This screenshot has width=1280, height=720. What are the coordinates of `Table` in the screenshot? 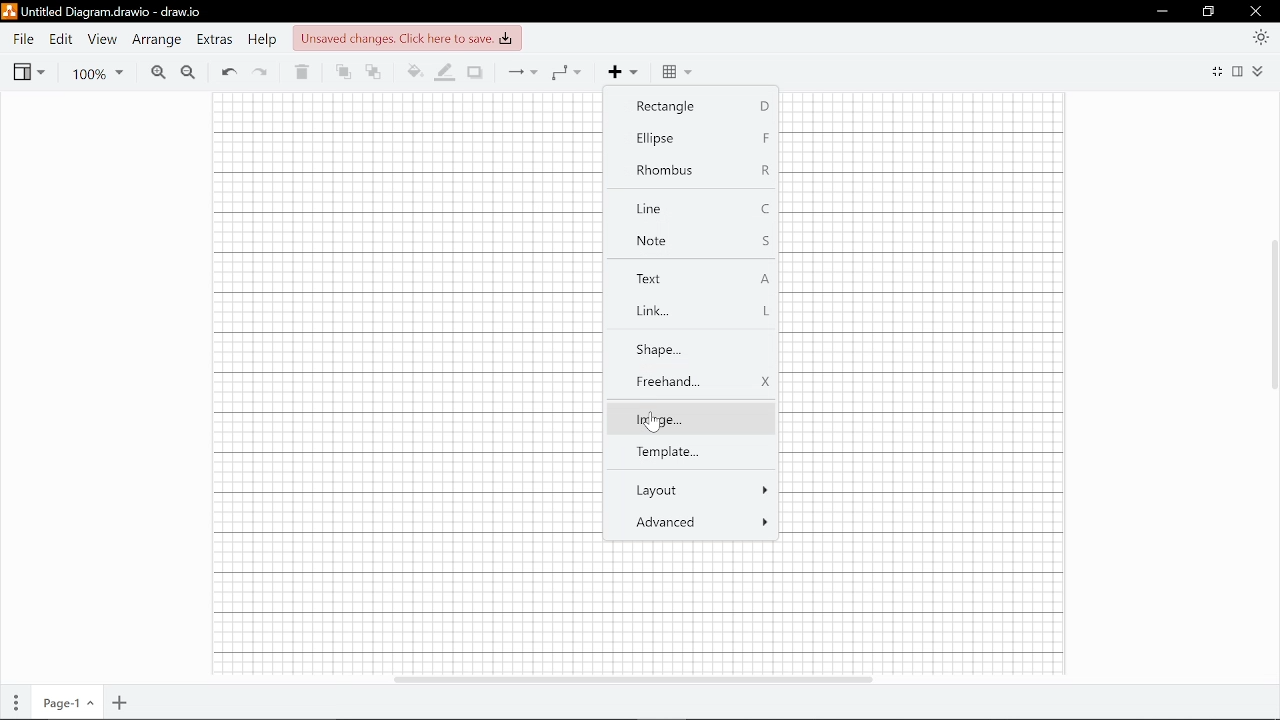 It's located at (674, 71).